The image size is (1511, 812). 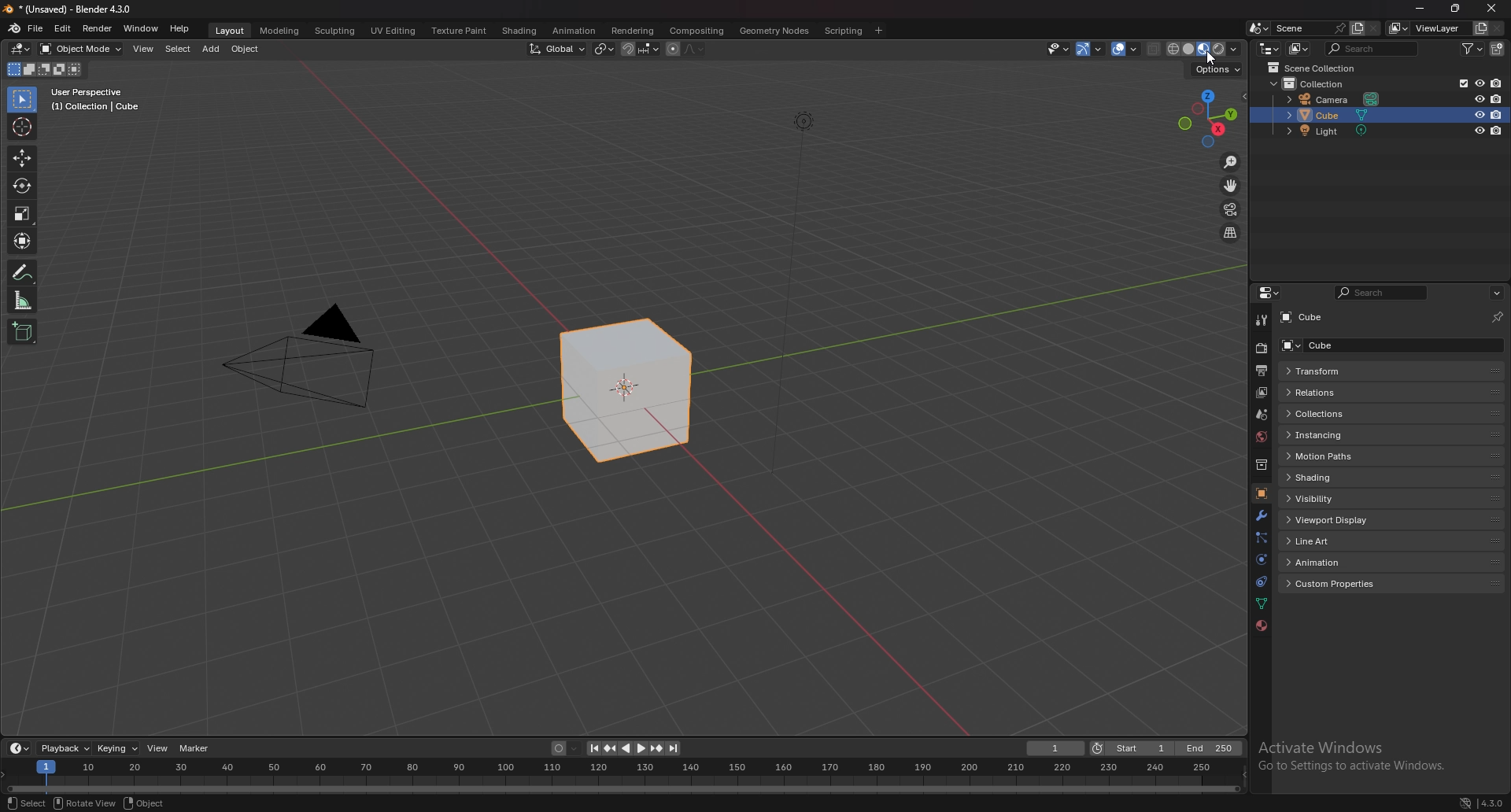 What do you see at coordinates (1360, 456) in the screenshot?
I see `motion paths` at bounding box center [1360, 456].